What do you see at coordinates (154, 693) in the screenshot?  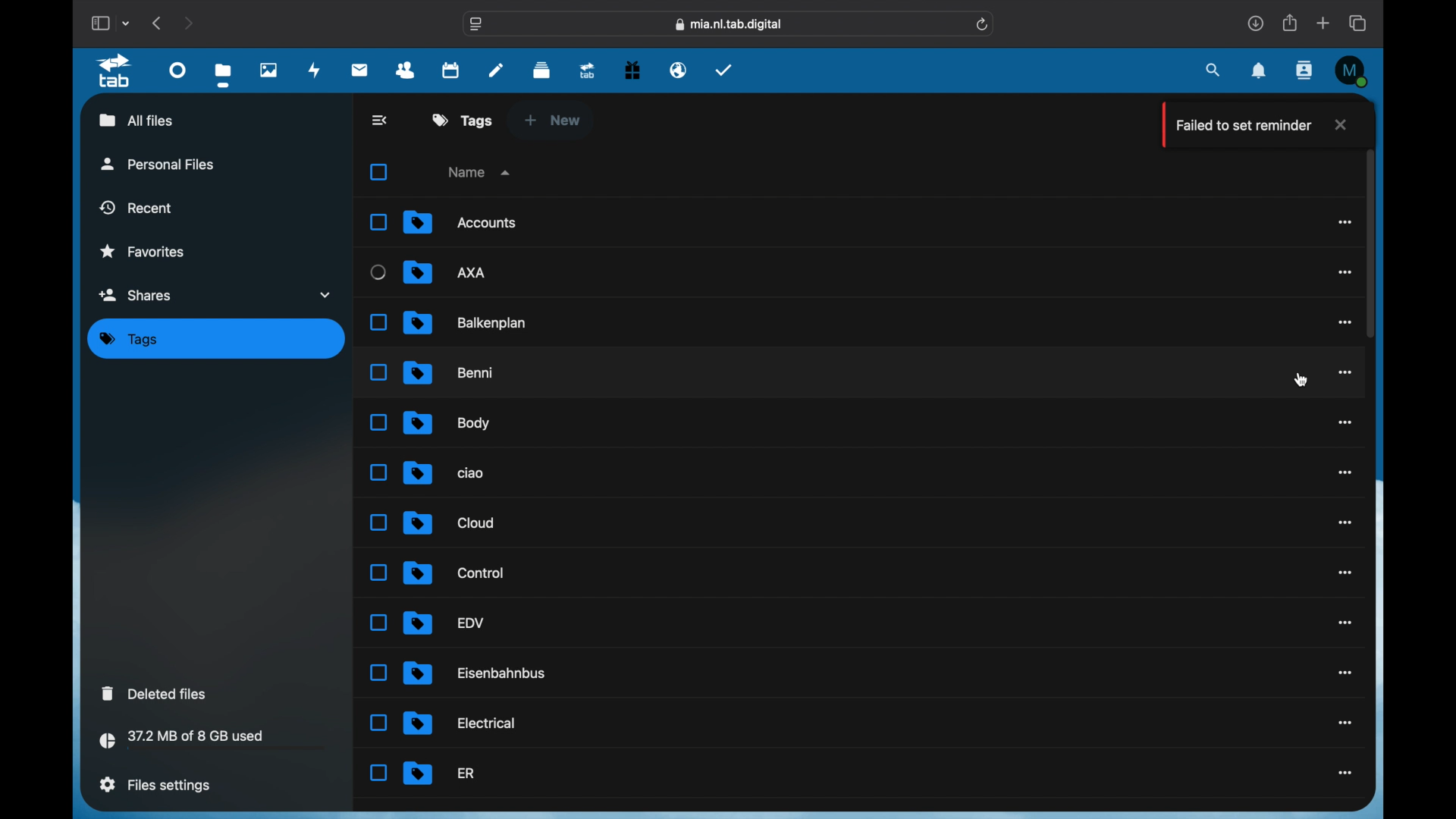 I see `deleted files` at bounding box center [154, 693].